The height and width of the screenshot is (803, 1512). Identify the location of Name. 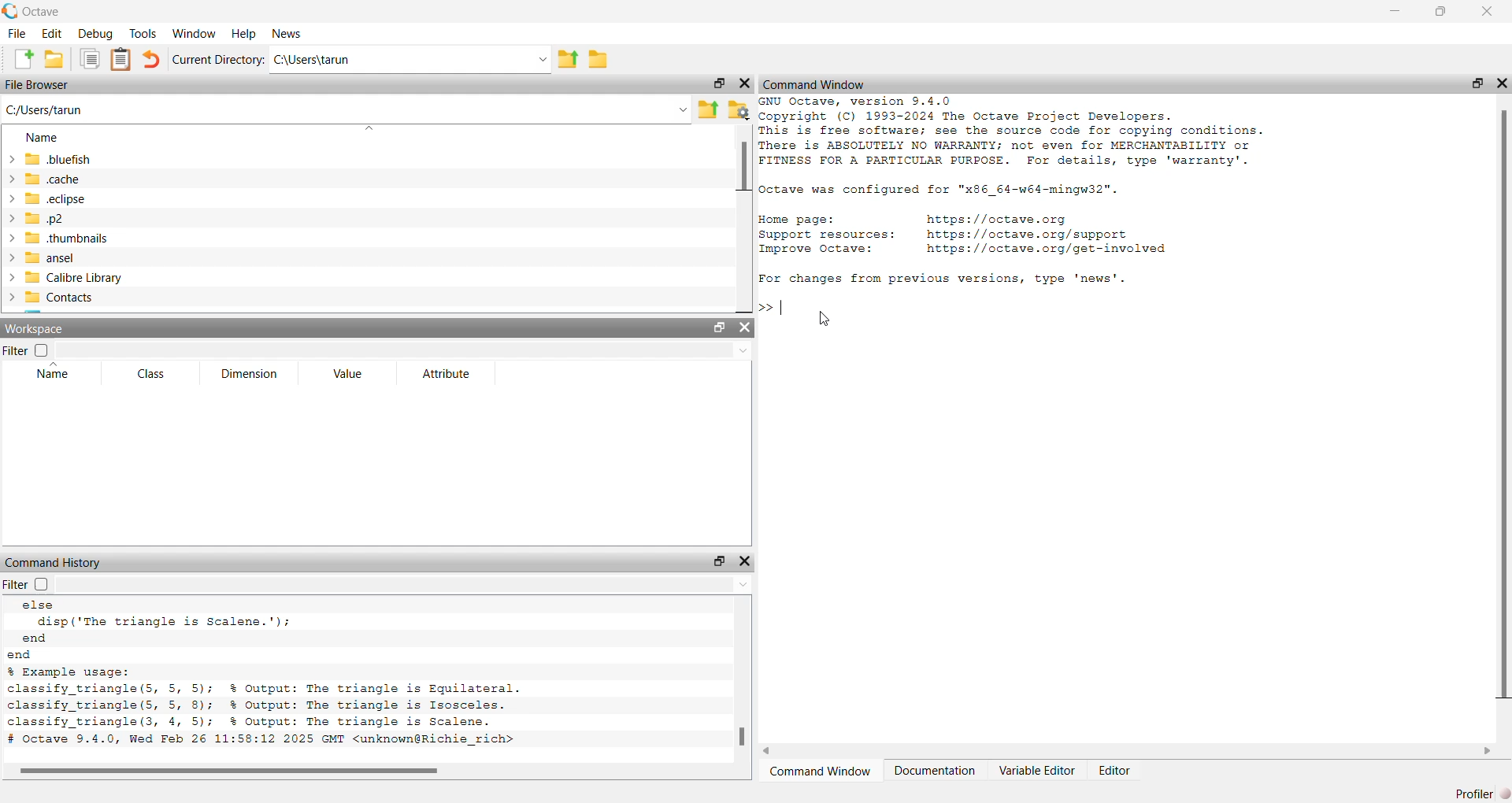
(43, 136).